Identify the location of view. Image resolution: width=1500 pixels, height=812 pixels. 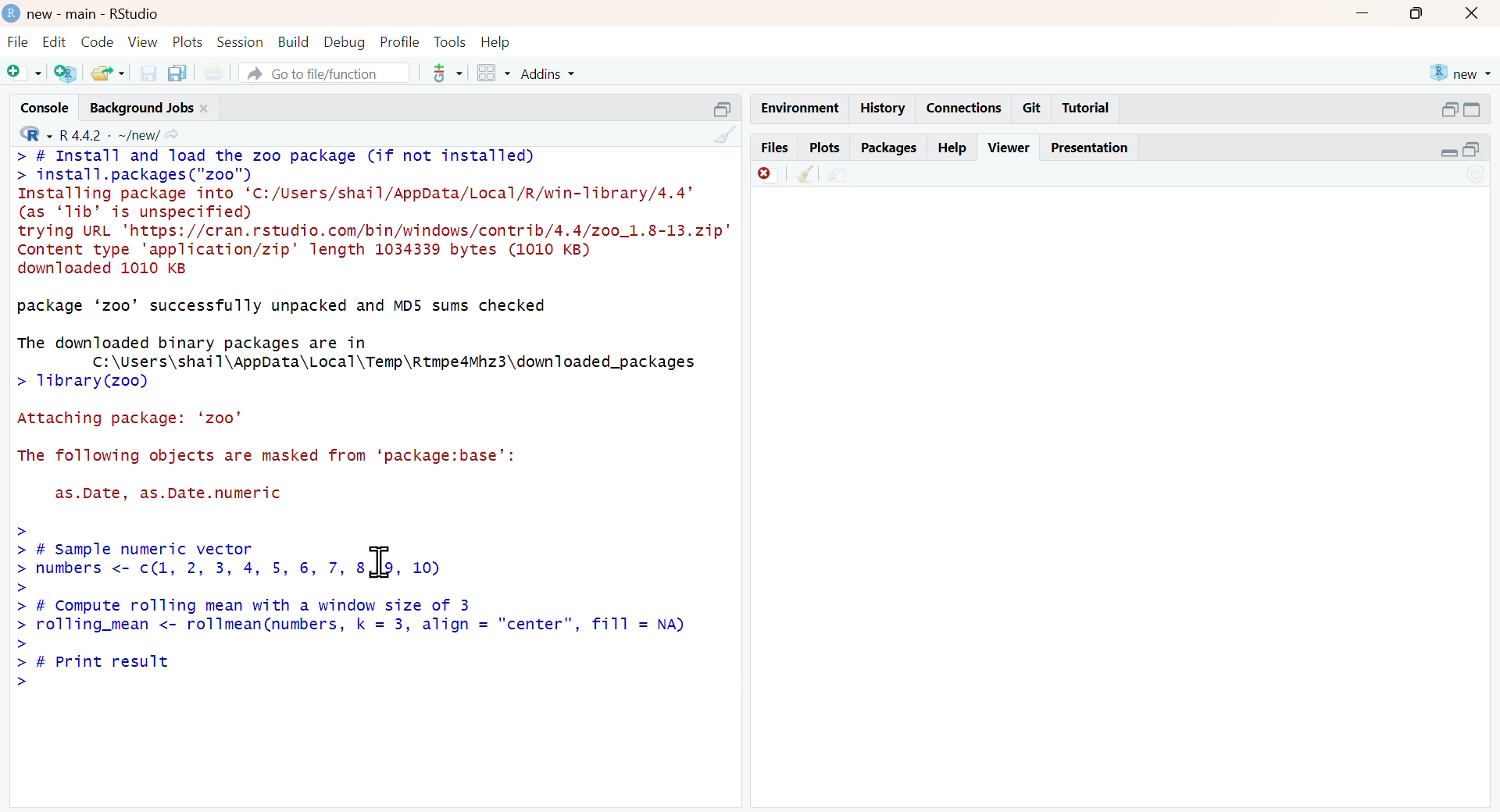
(144, 42).